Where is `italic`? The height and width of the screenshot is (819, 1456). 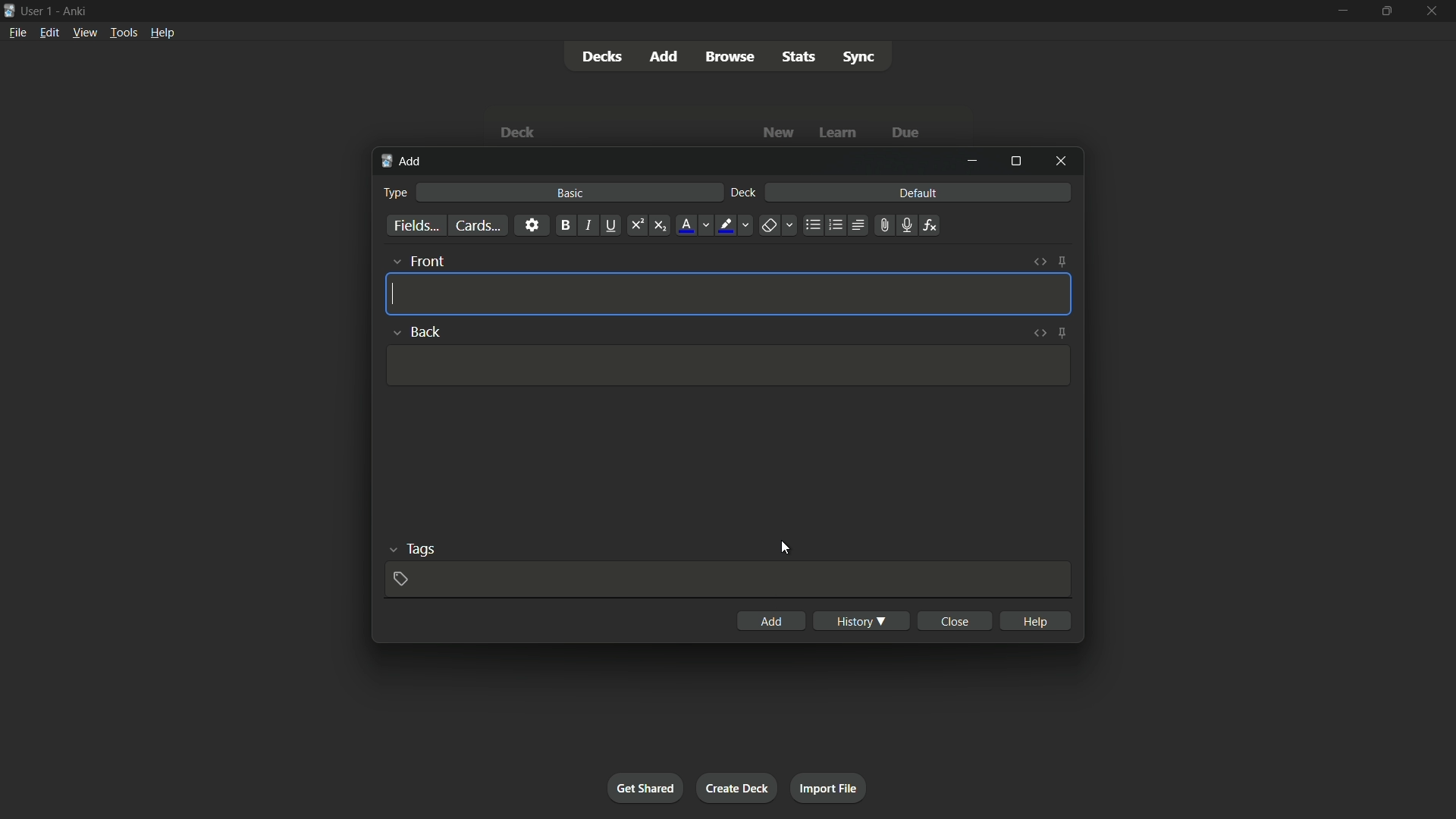
italic is located at coordinates (588, 225).